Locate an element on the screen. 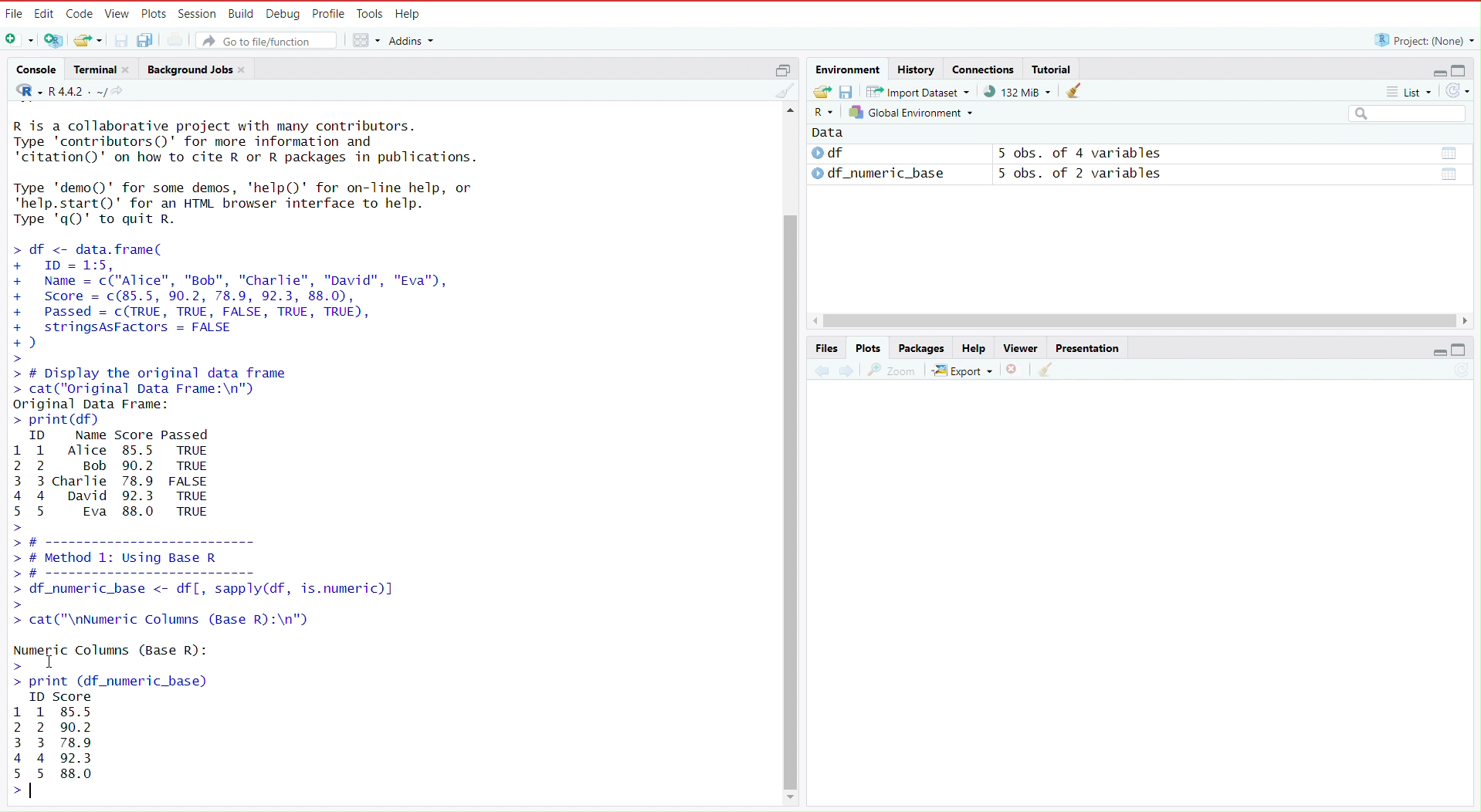 The height and width of the screenshot is (812, 1481). minimize is located at coordinates (1435, 69).